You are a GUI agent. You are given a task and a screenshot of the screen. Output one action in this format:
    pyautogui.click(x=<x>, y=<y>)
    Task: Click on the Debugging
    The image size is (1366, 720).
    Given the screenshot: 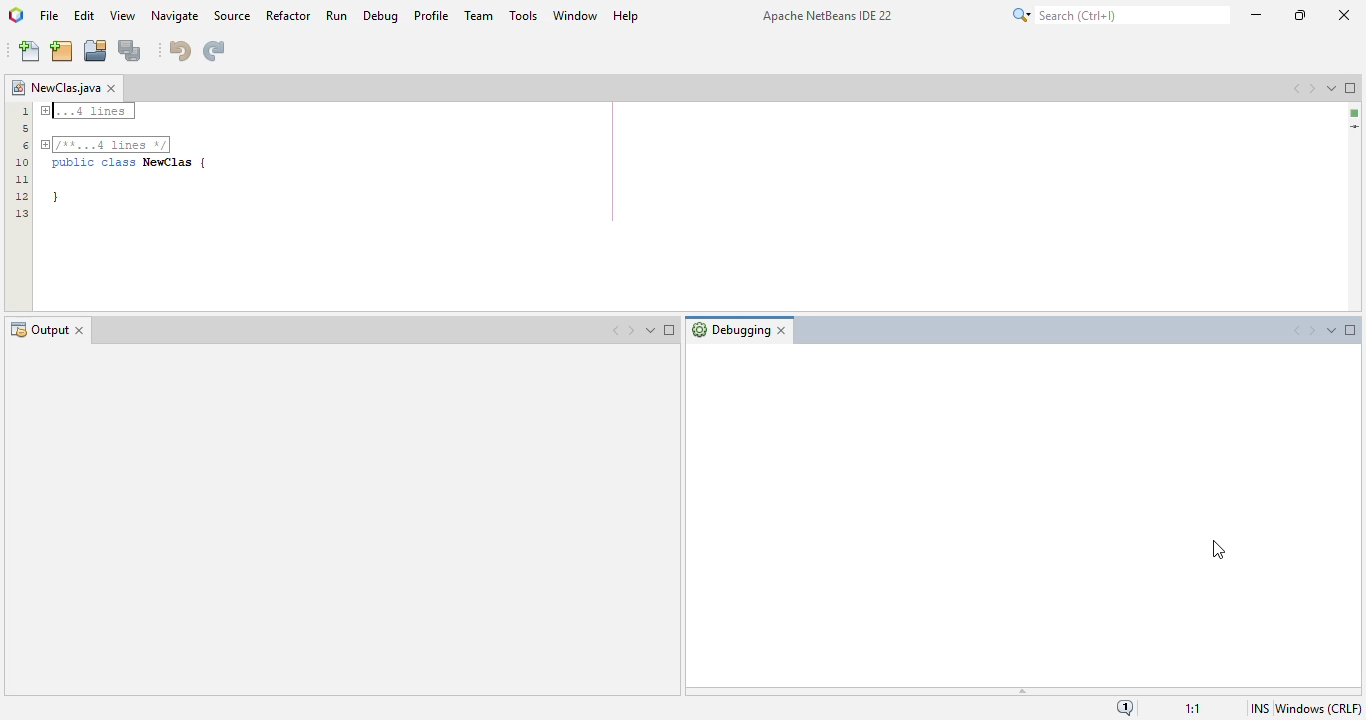 What is the action you would take?
    pyautogui.click(x=728, y=331)
    